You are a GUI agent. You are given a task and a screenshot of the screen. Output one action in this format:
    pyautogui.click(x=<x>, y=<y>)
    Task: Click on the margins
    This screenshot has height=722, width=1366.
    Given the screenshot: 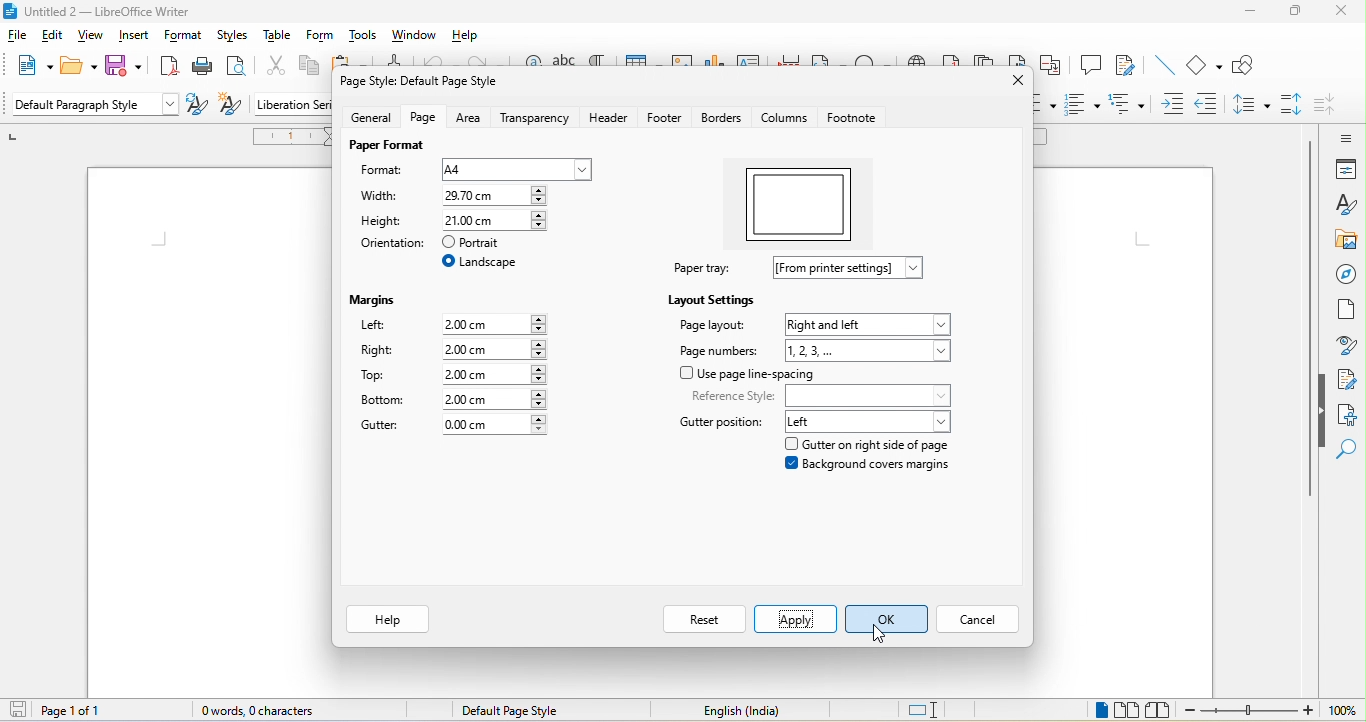 What is the action you would take?
    pyautogui.click(x=373, y=301)
    